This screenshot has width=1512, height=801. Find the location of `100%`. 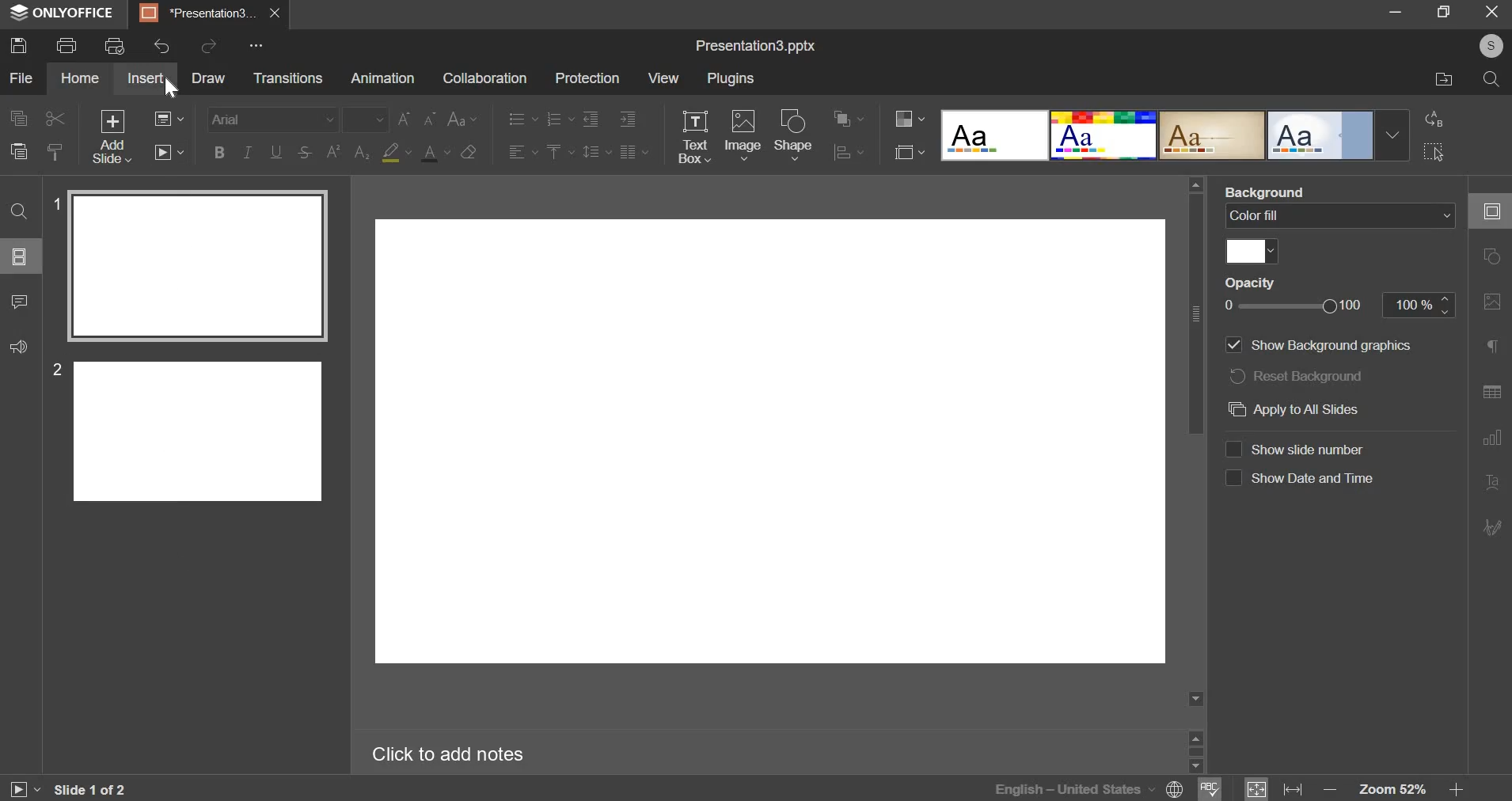

100% is located at coordinates (1419, 305).